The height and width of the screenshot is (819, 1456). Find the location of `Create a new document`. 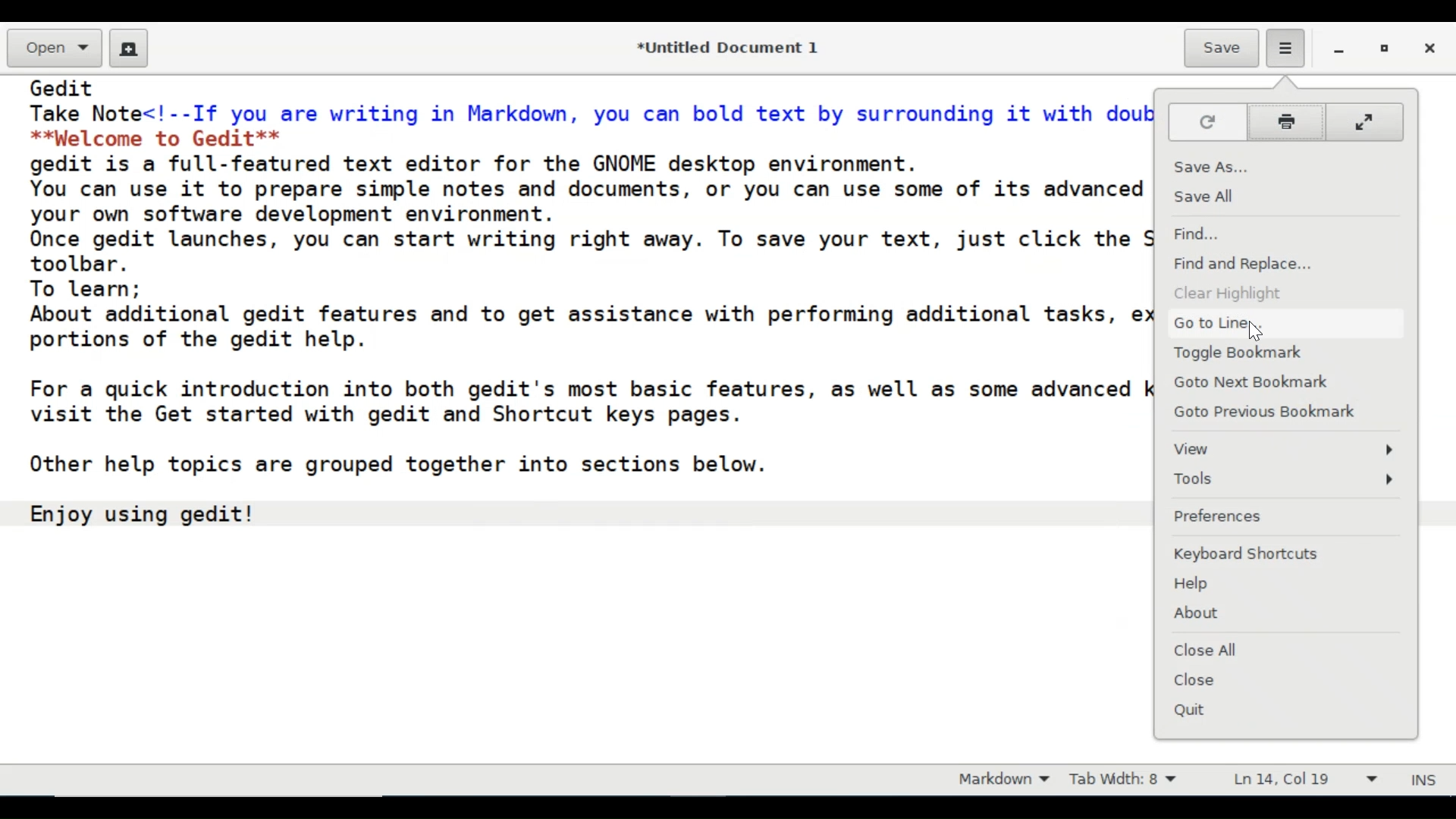

Create a new document is located at coordinates (130, 49).